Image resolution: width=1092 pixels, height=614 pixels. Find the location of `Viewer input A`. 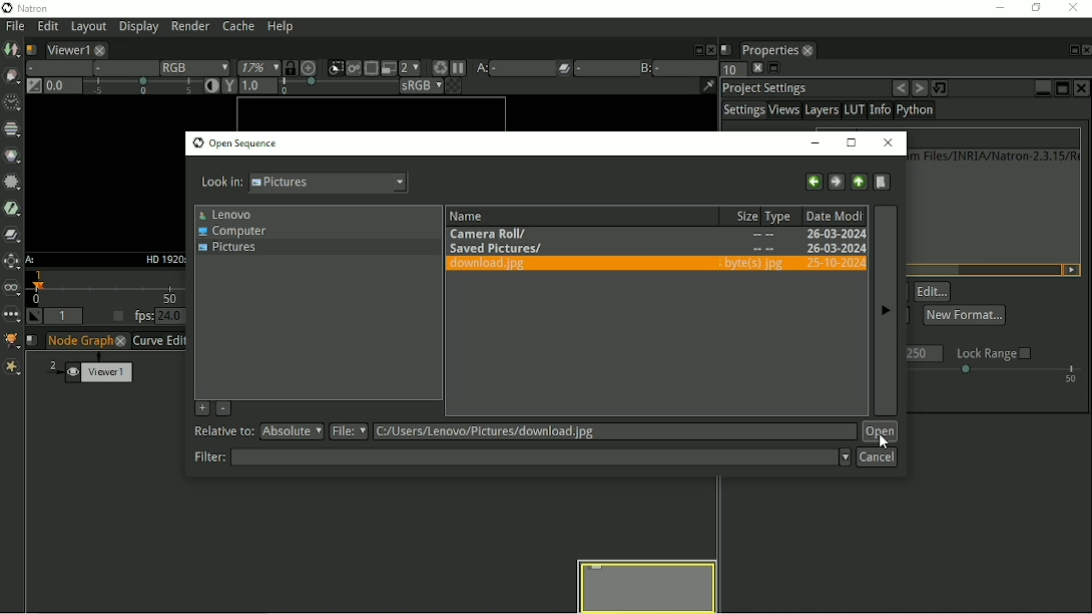

Viewer input A is located at coordinates (500, 68).